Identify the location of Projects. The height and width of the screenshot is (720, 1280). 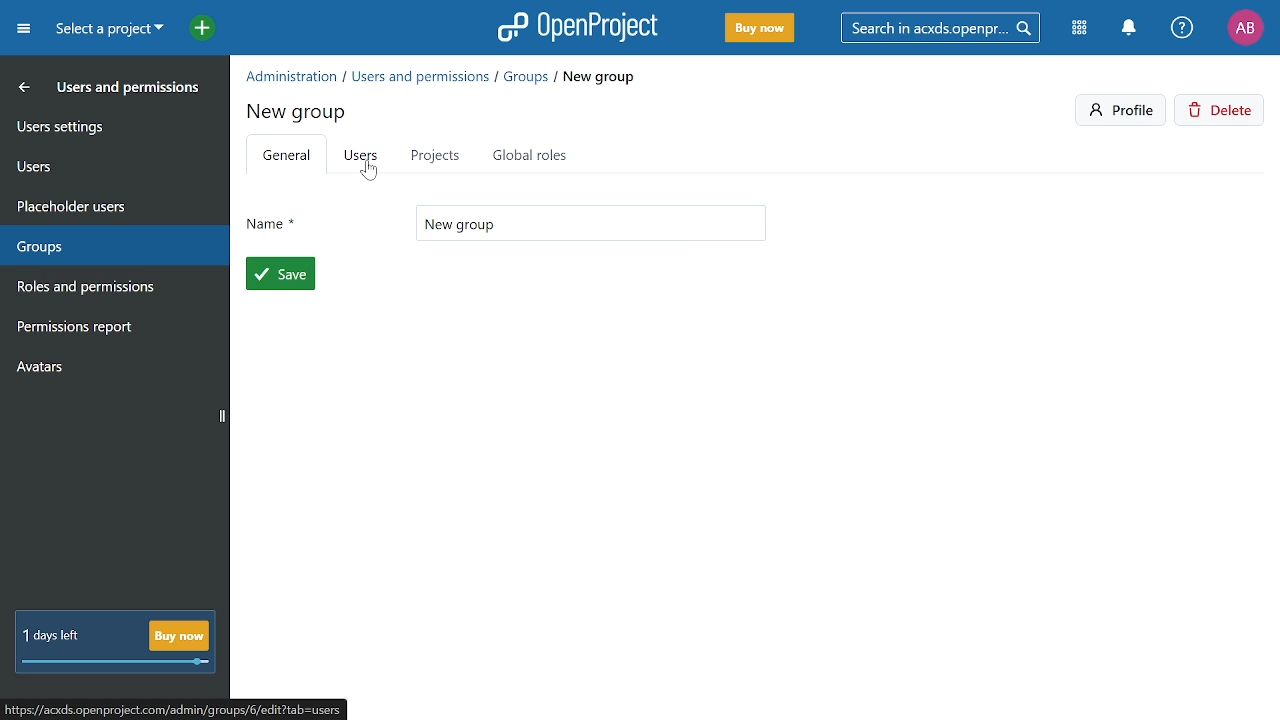
(434, 155).